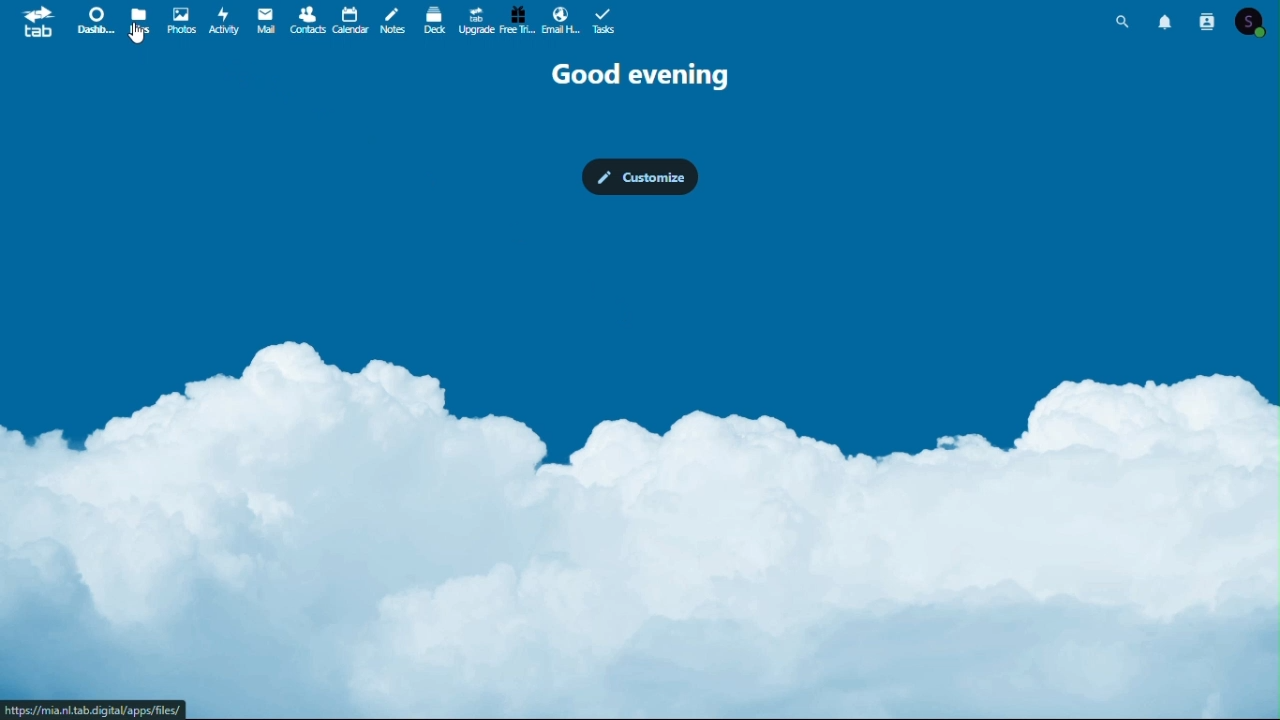  What do you see at coordinates (140, 19) in the screenshot?
I see `files` at bounding box center [140, 19].